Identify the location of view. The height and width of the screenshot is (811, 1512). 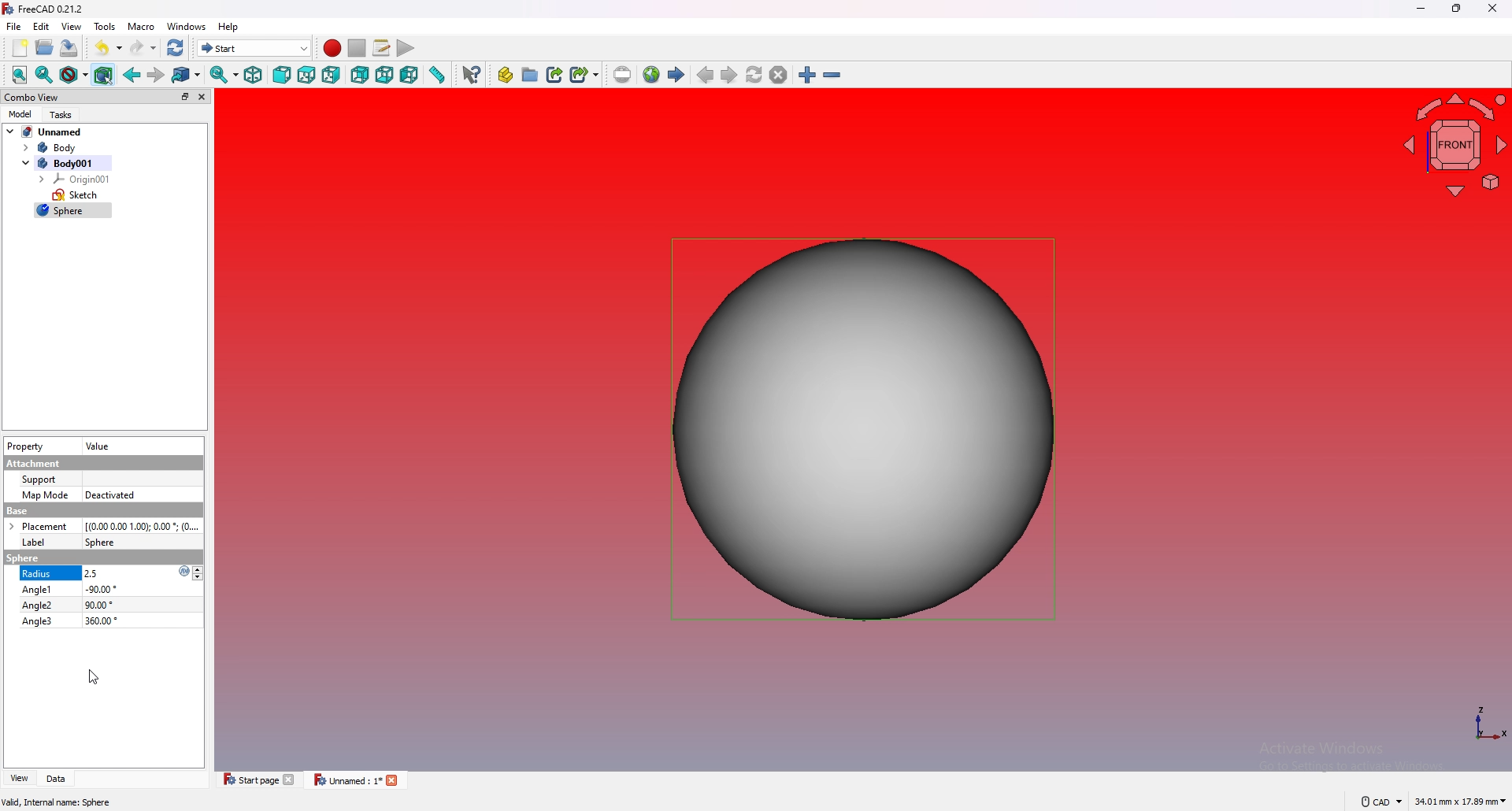
(17, 779).